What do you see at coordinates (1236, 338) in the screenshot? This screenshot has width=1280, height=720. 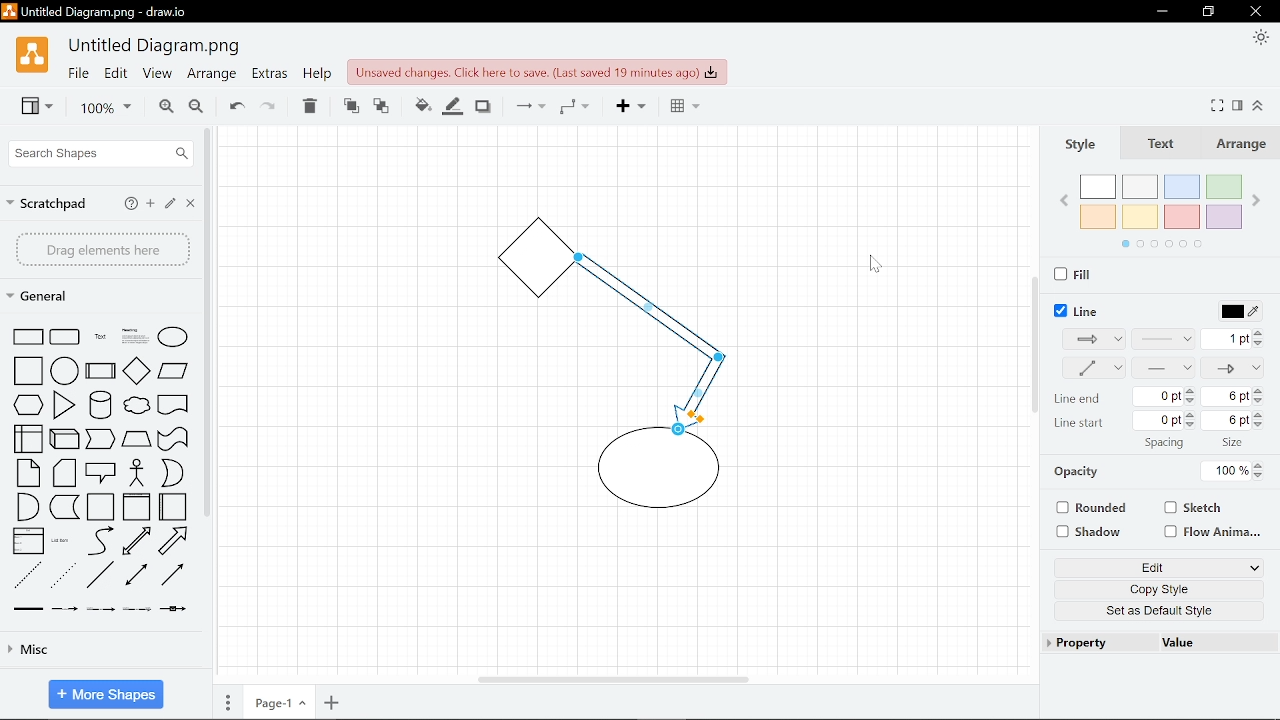 I see `Line Thickness Selector` at bounding box center [1236, 338].